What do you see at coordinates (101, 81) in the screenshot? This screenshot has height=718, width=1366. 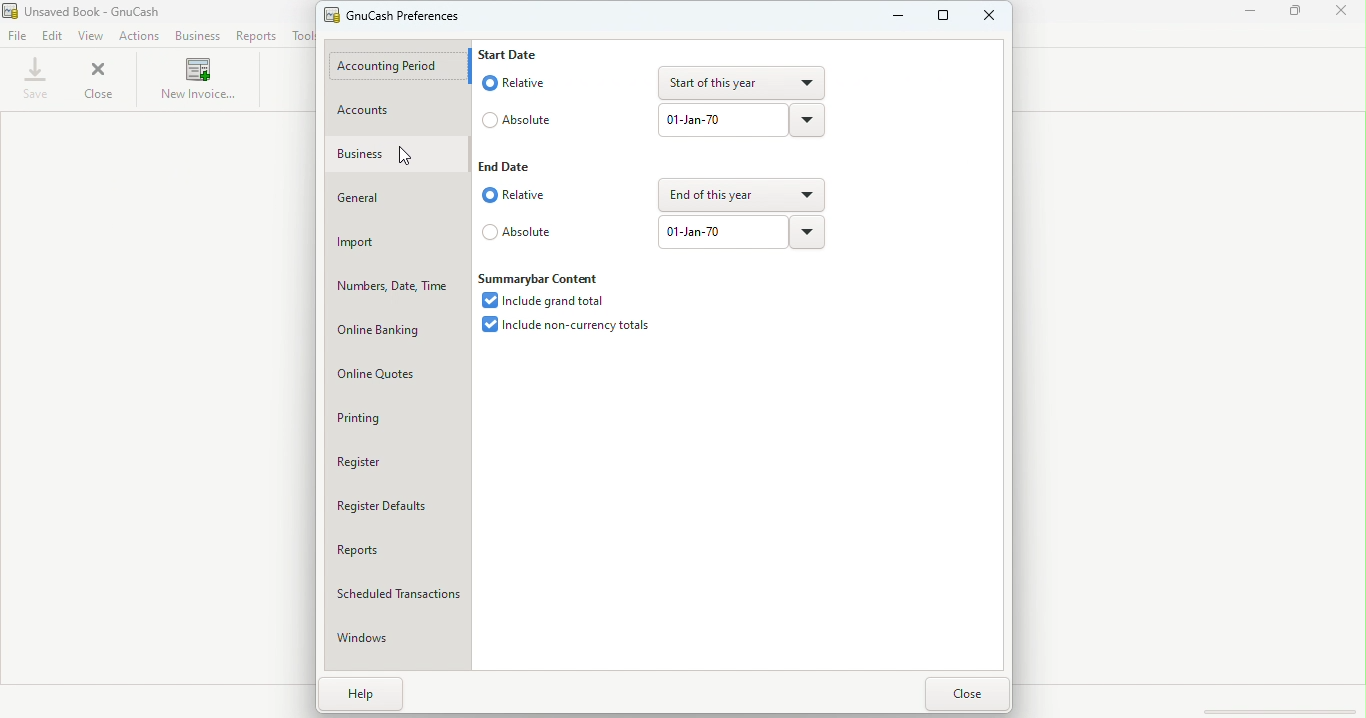 I see `Close` at bounding box center [101, 81].